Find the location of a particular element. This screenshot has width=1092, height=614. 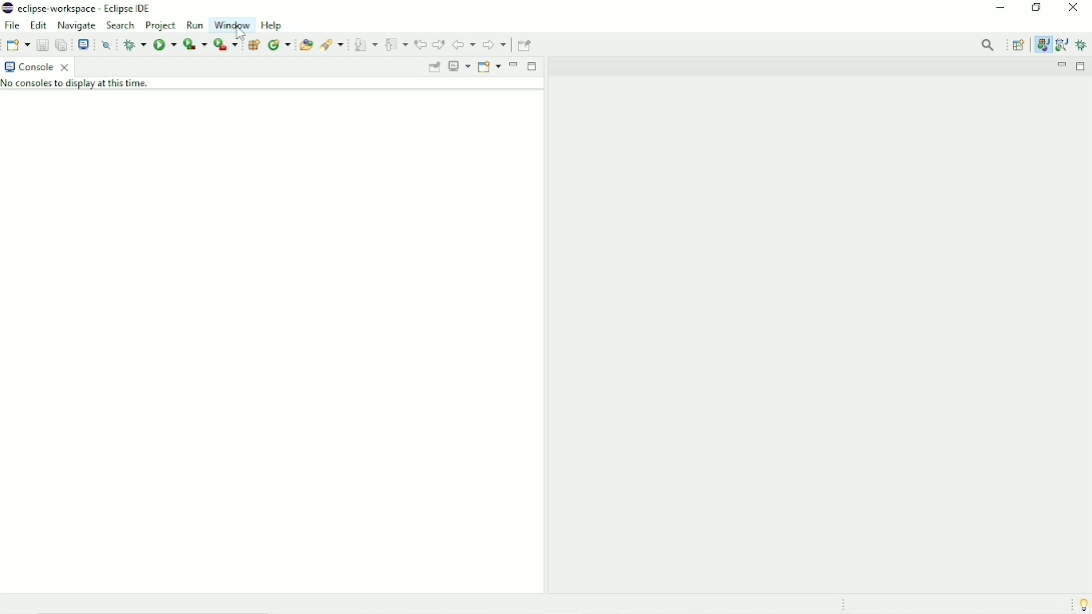

Next edit location is located at coordinates (438, 44).